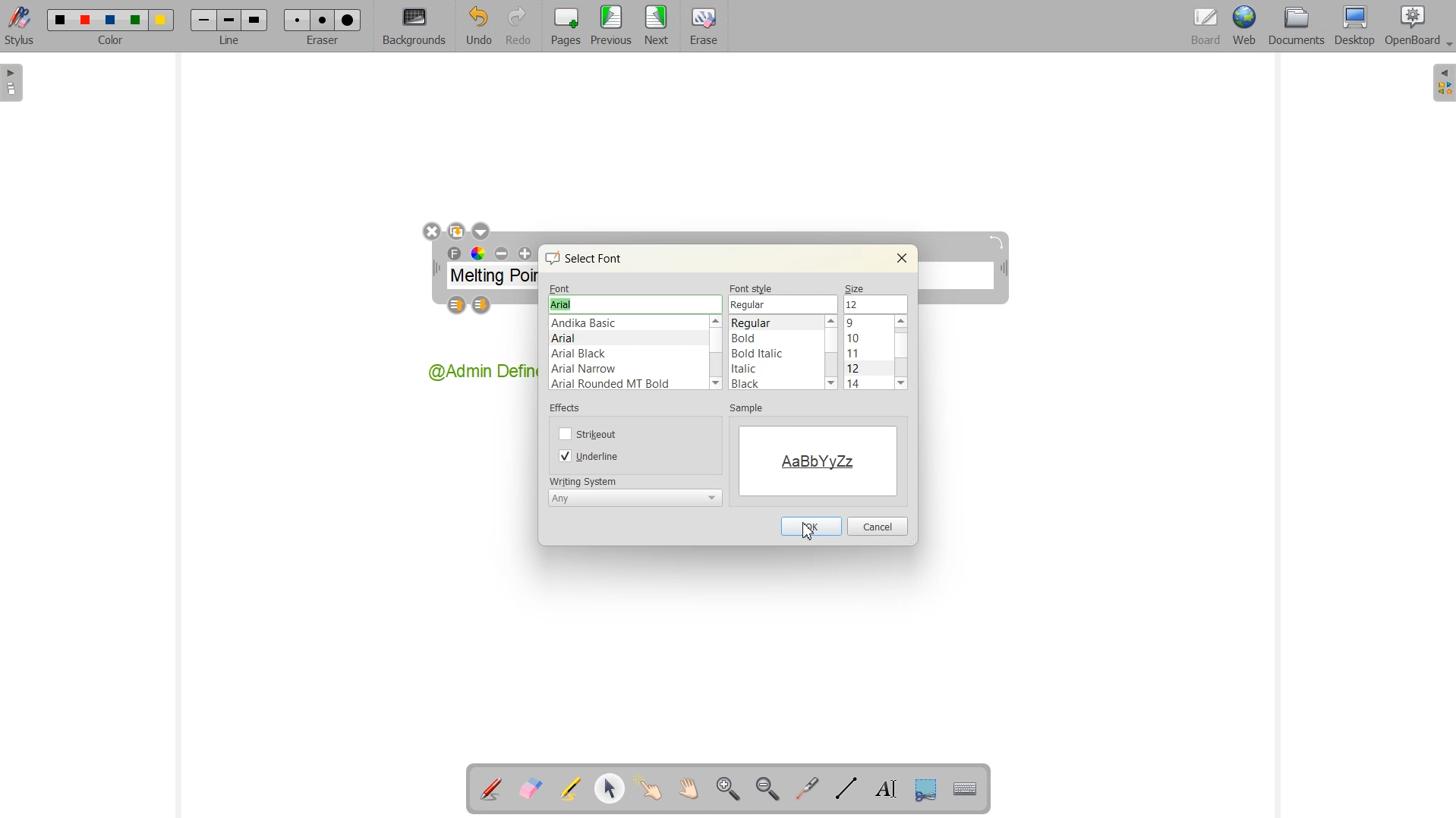 This screenshot has width=1456, height=818. What do you see at coordinates (1203, 27) in the screenshot?
I see `Board` at bounding box center [1203, 27].